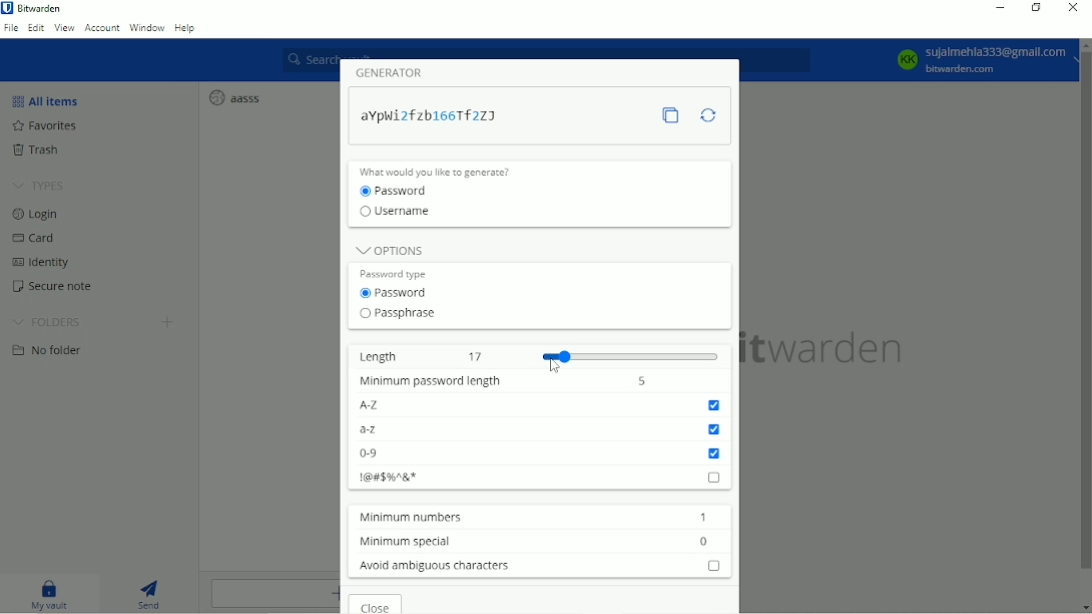  What do you see at coordinates (402, 214) in the screenshot?
I see `Username` at bounding box center [402, 214].